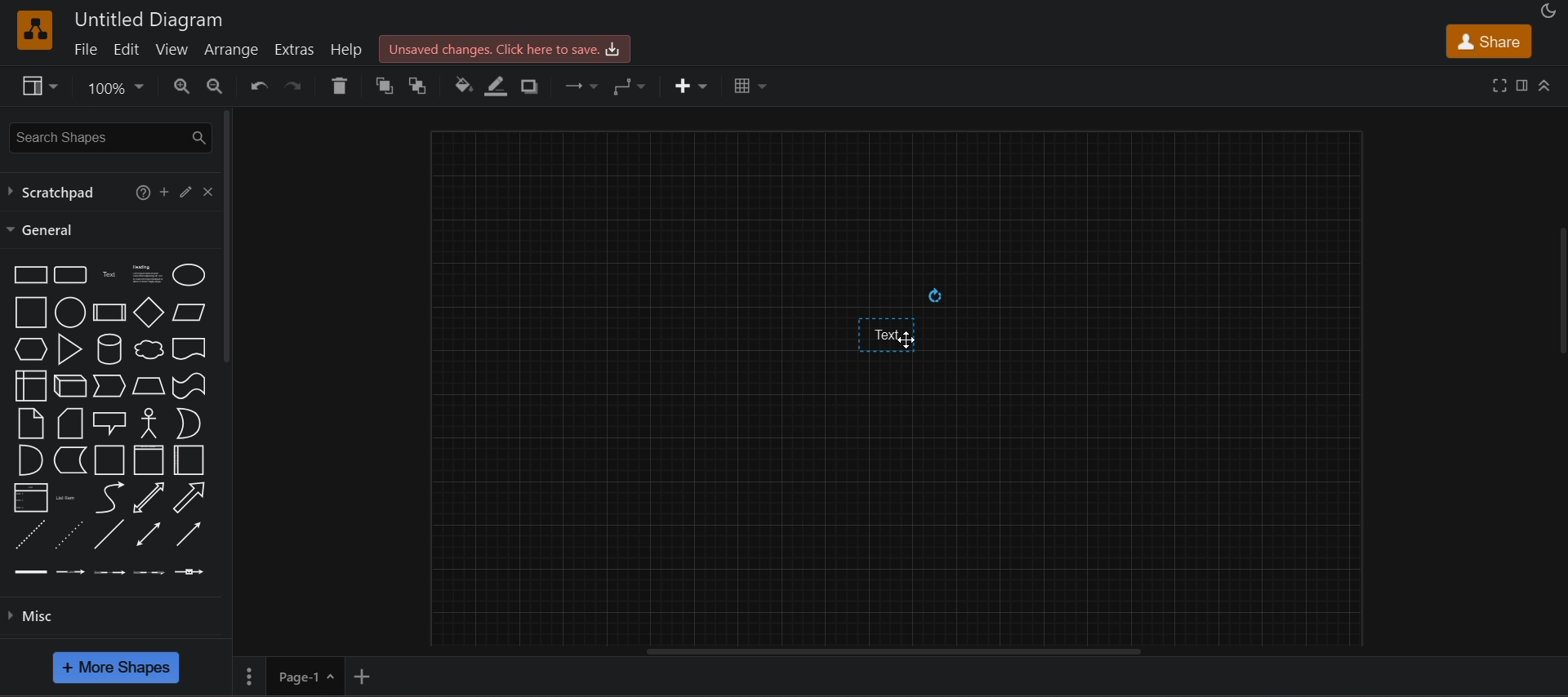 This screenshot has height=697, width=1568. I want to click on close, so click(209, 192).